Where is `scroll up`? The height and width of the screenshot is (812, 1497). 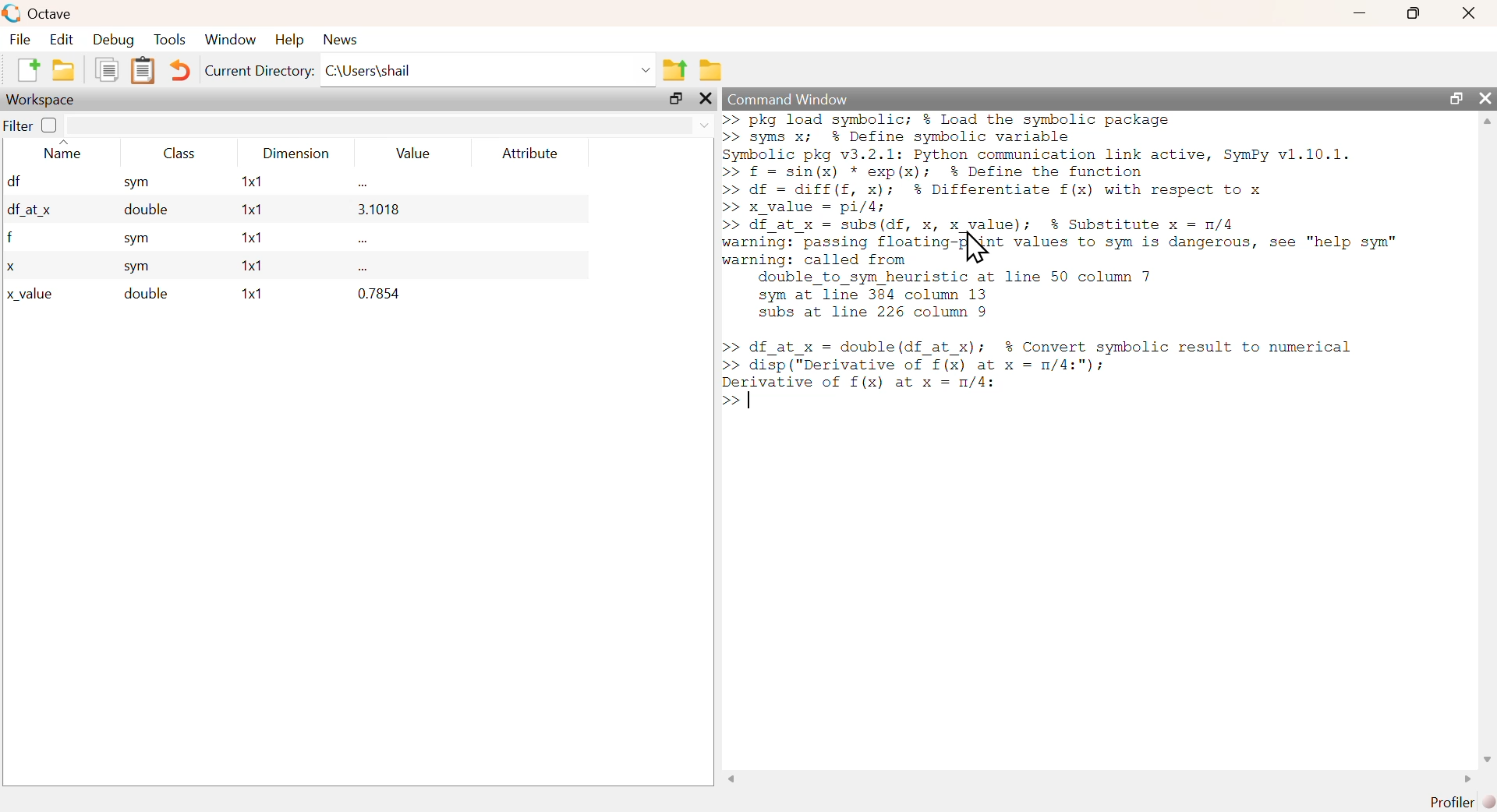 scroll up is located at coordinates (1487, 121).